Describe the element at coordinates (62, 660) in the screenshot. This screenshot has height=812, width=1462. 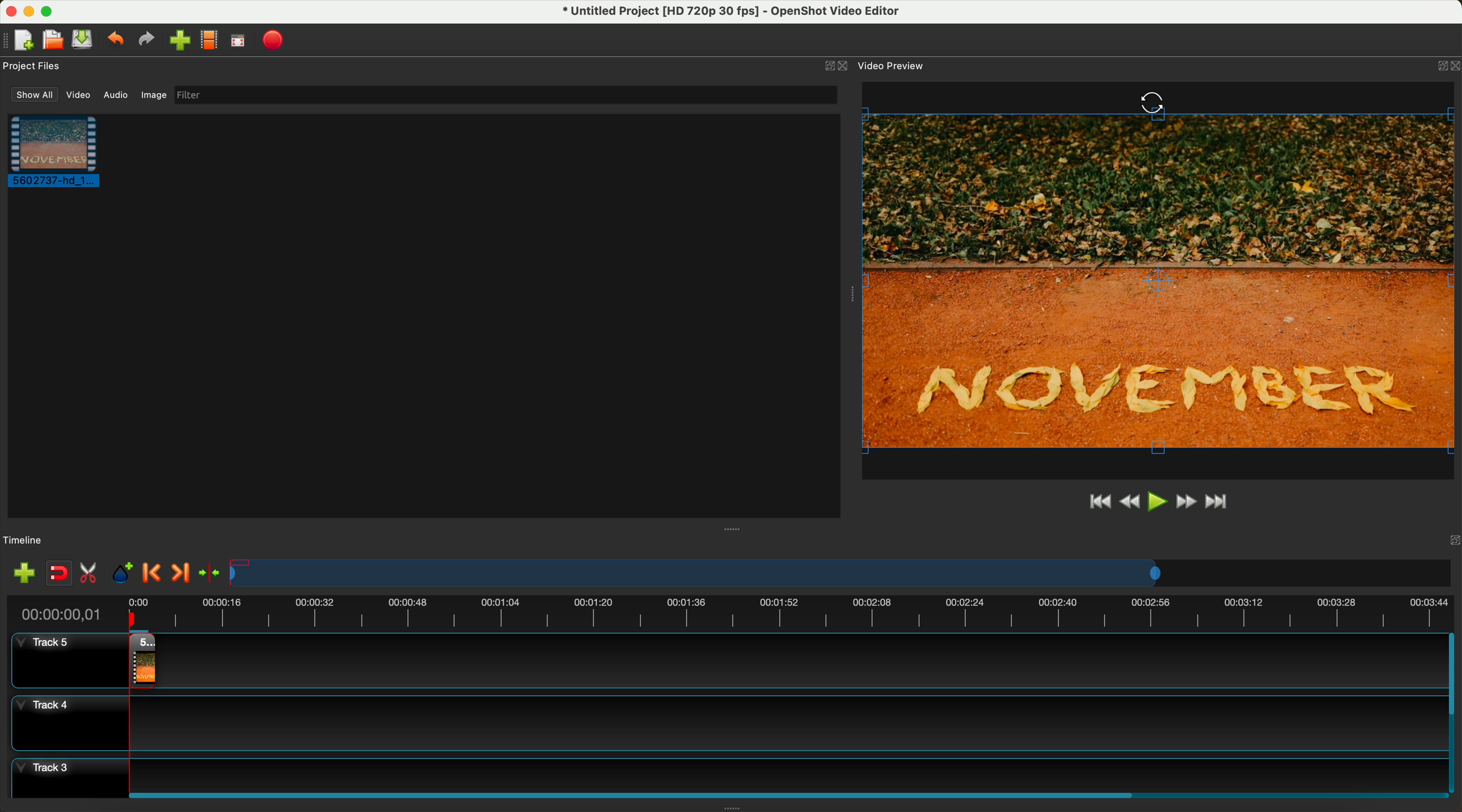
I see `track 5` at that location.